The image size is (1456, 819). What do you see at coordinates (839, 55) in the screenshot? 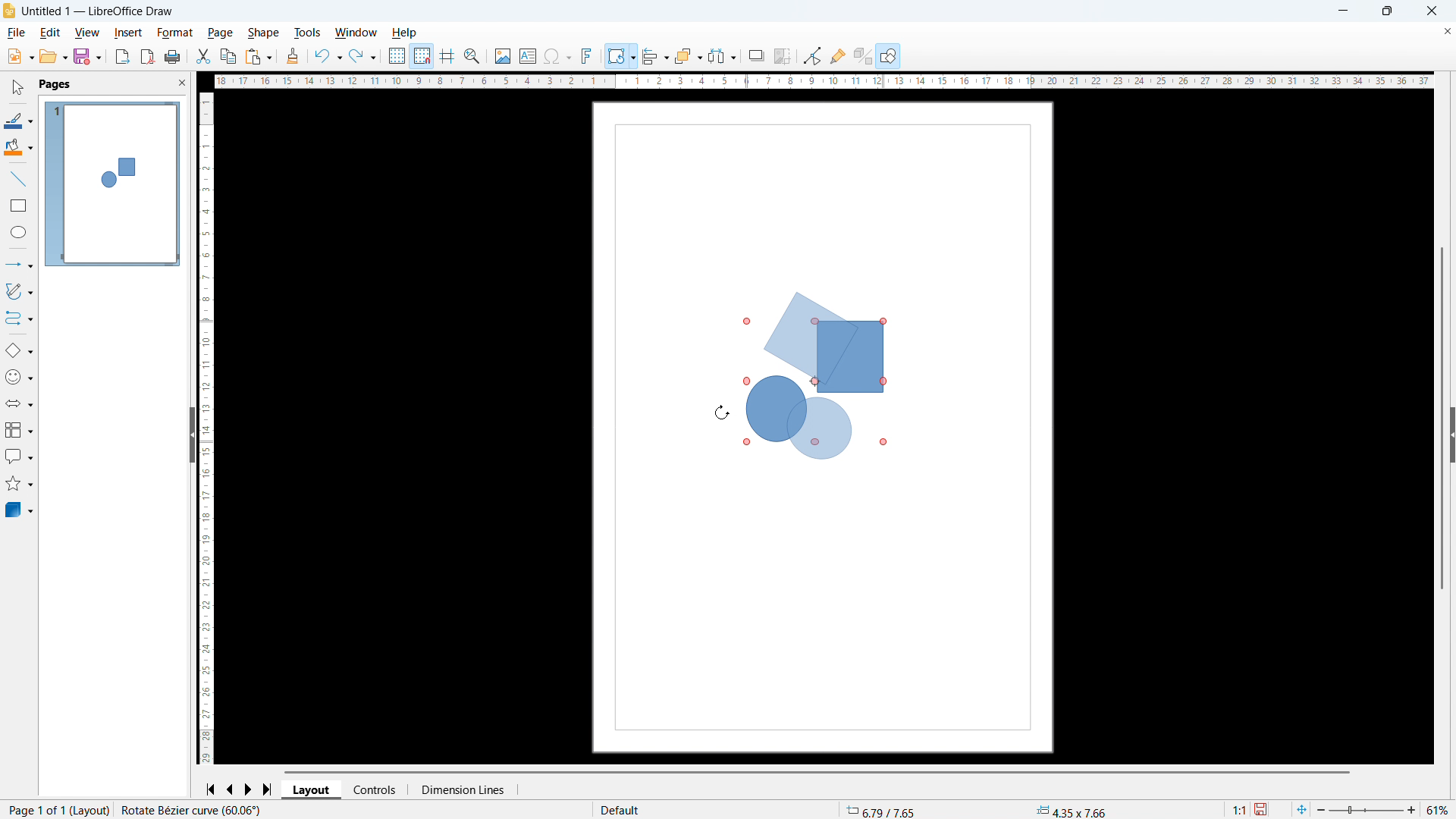
I see `Show glue Point functions ` at bounding box center [839, 55].